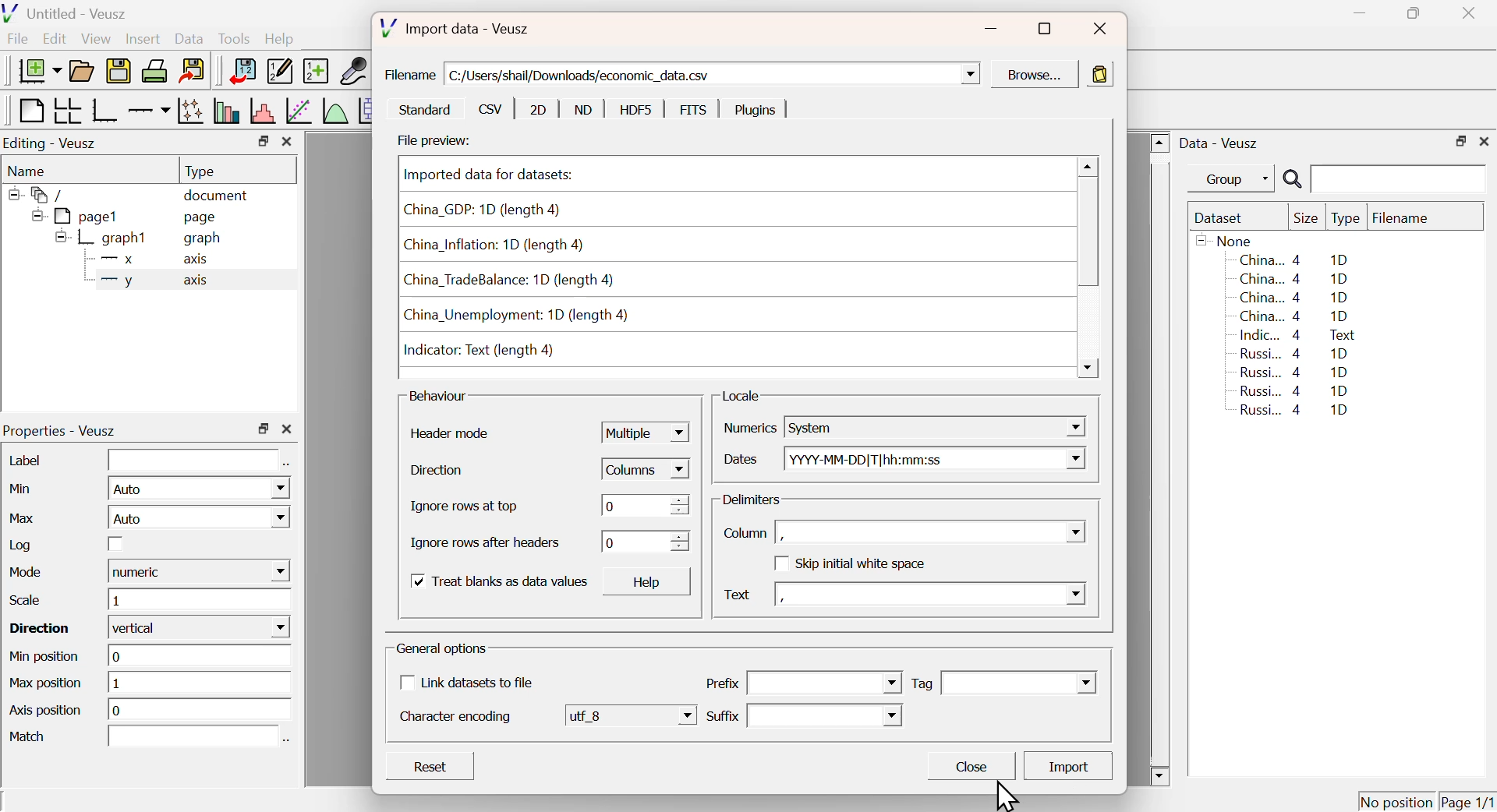 The image size is (1497, 812). What do you see at coordinates (466, 507) in the screenshot?
I see `Ignore rows at top` at bounding box center [466, 507].